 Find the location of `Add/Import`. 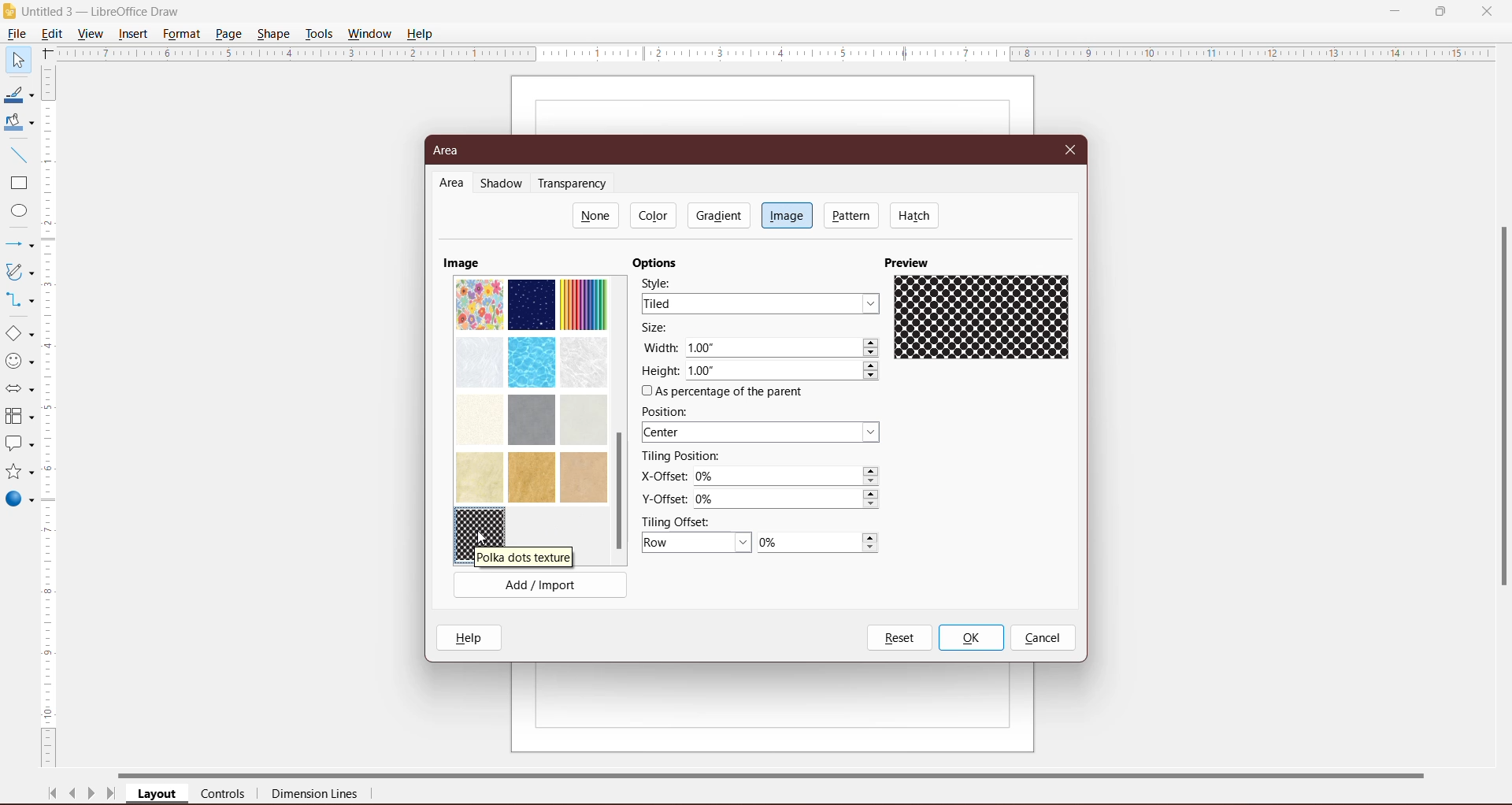

Add/Import is located at coordinates (540, 588).